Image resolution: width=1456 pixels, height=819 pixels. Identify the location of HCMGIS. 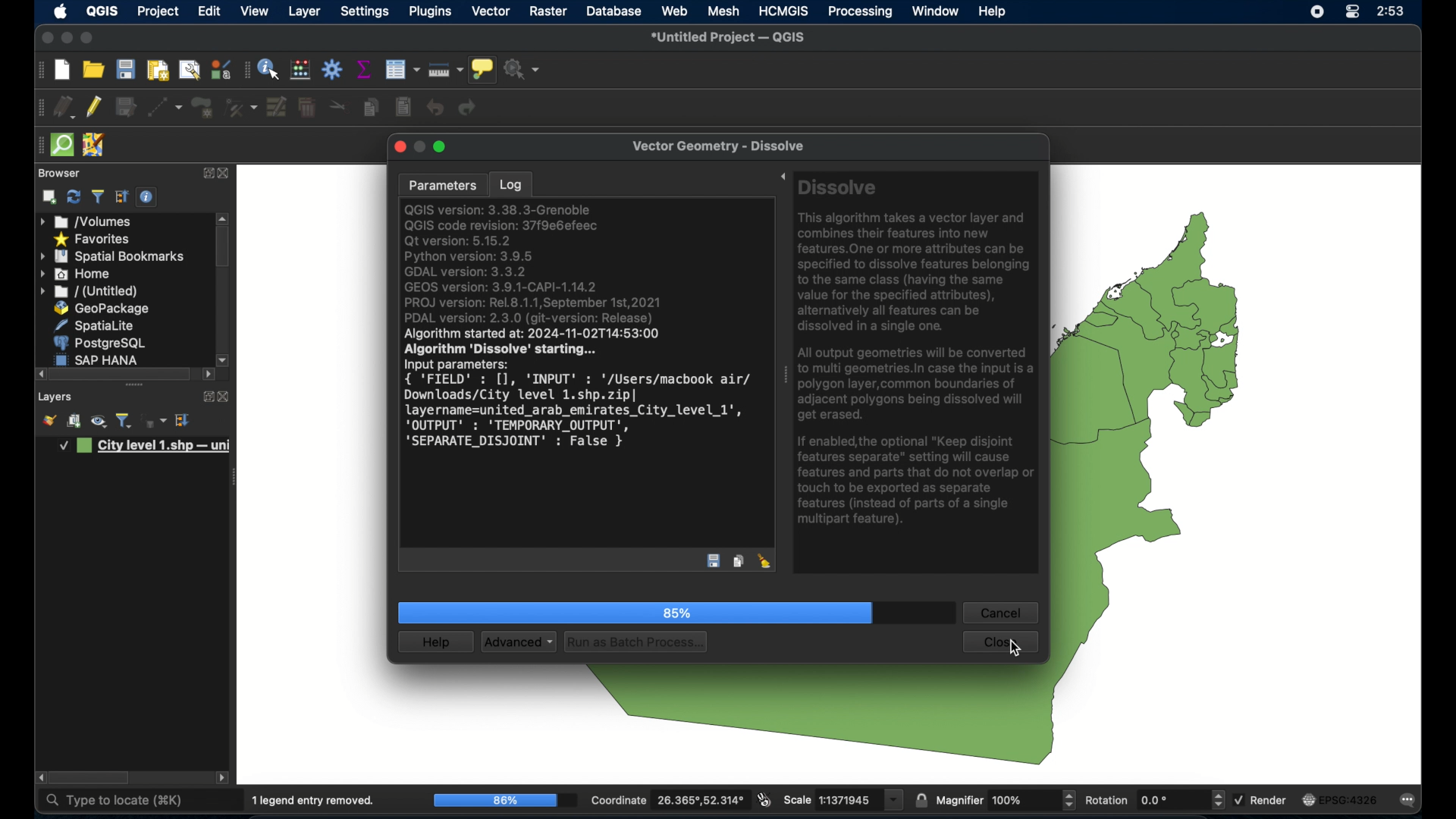
(784, 11).